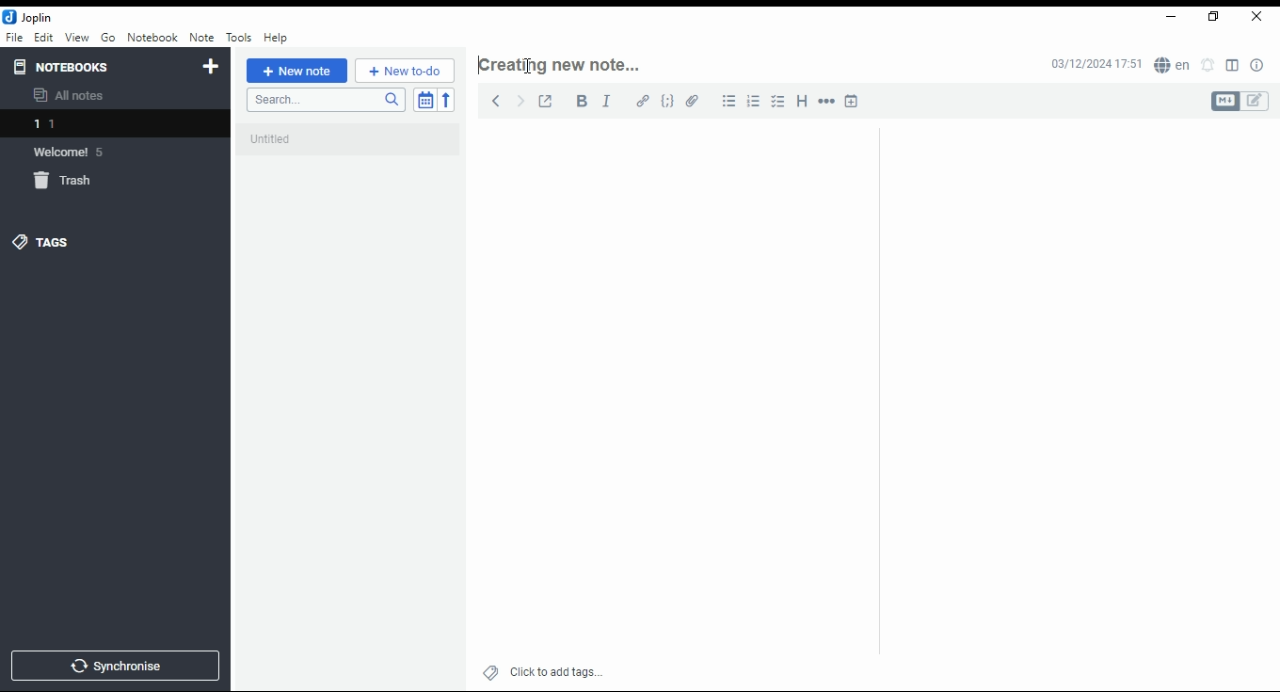 The width and height of the screenshot is (1280, 692). I want to click on maximize, so click(1216, 18).